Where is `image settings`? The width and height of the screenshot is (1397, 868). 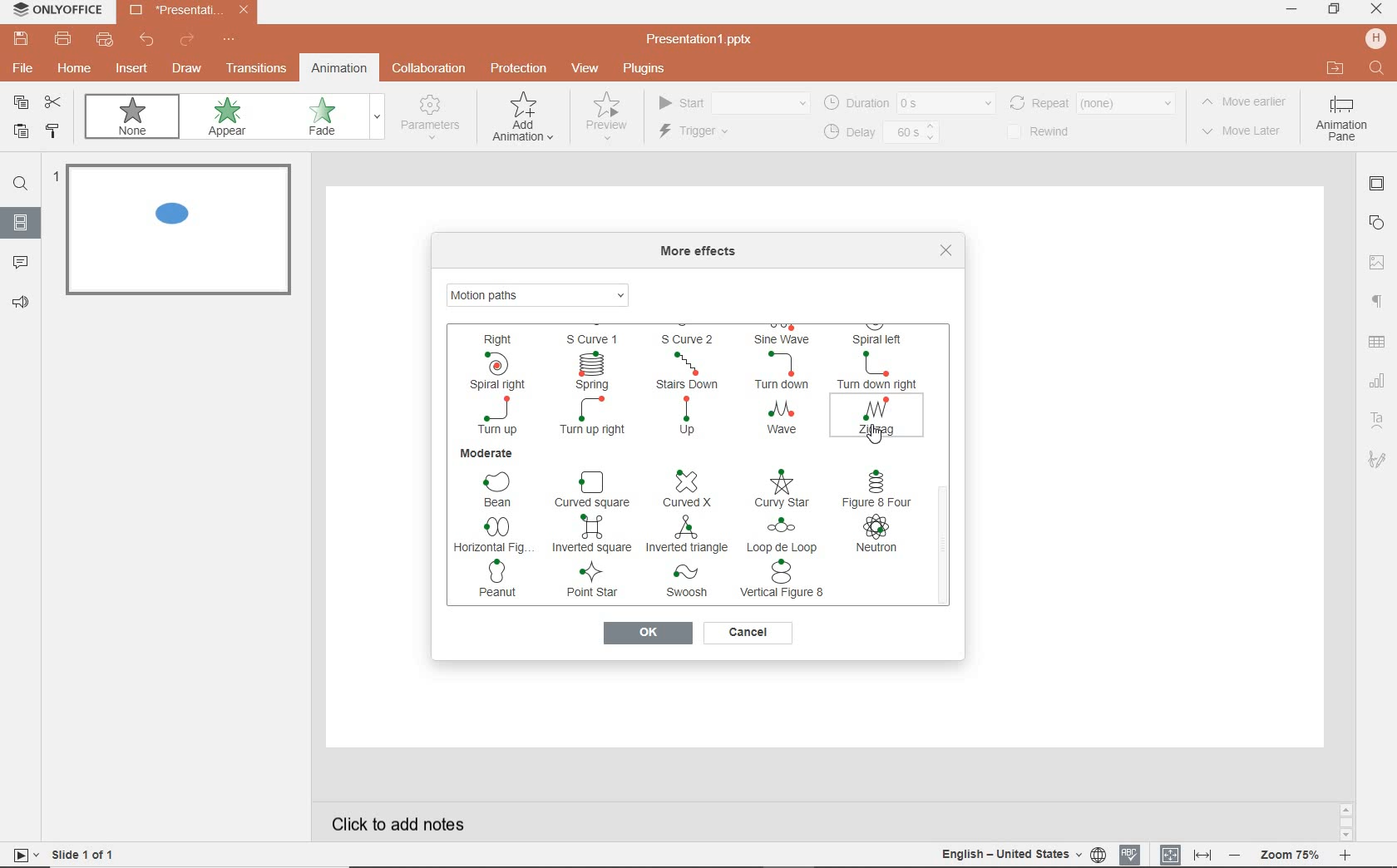 image settings is located at coordinates (1379, 260).